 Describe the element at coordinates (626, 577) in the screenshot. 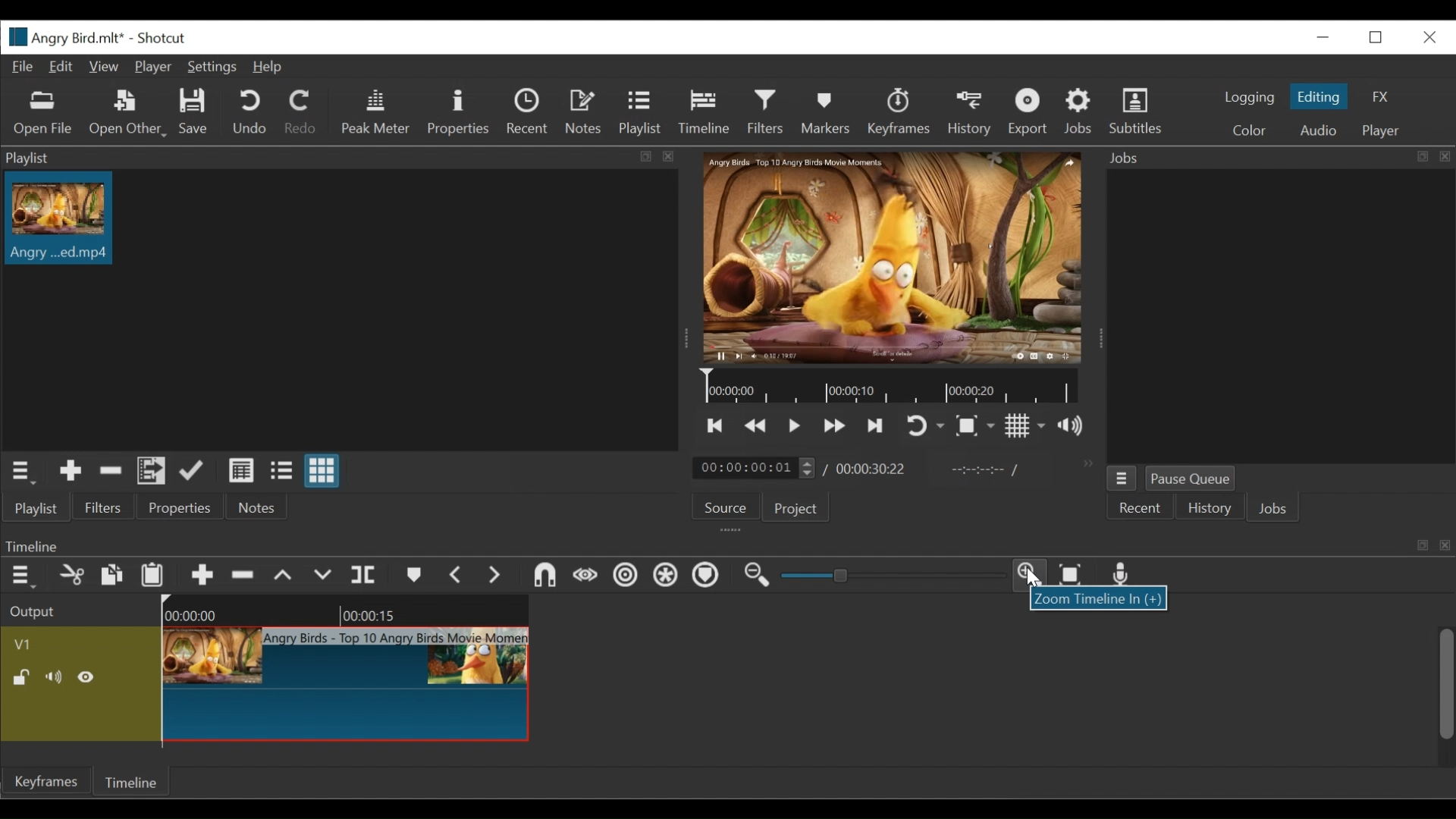

I see `Ripple` at that location.